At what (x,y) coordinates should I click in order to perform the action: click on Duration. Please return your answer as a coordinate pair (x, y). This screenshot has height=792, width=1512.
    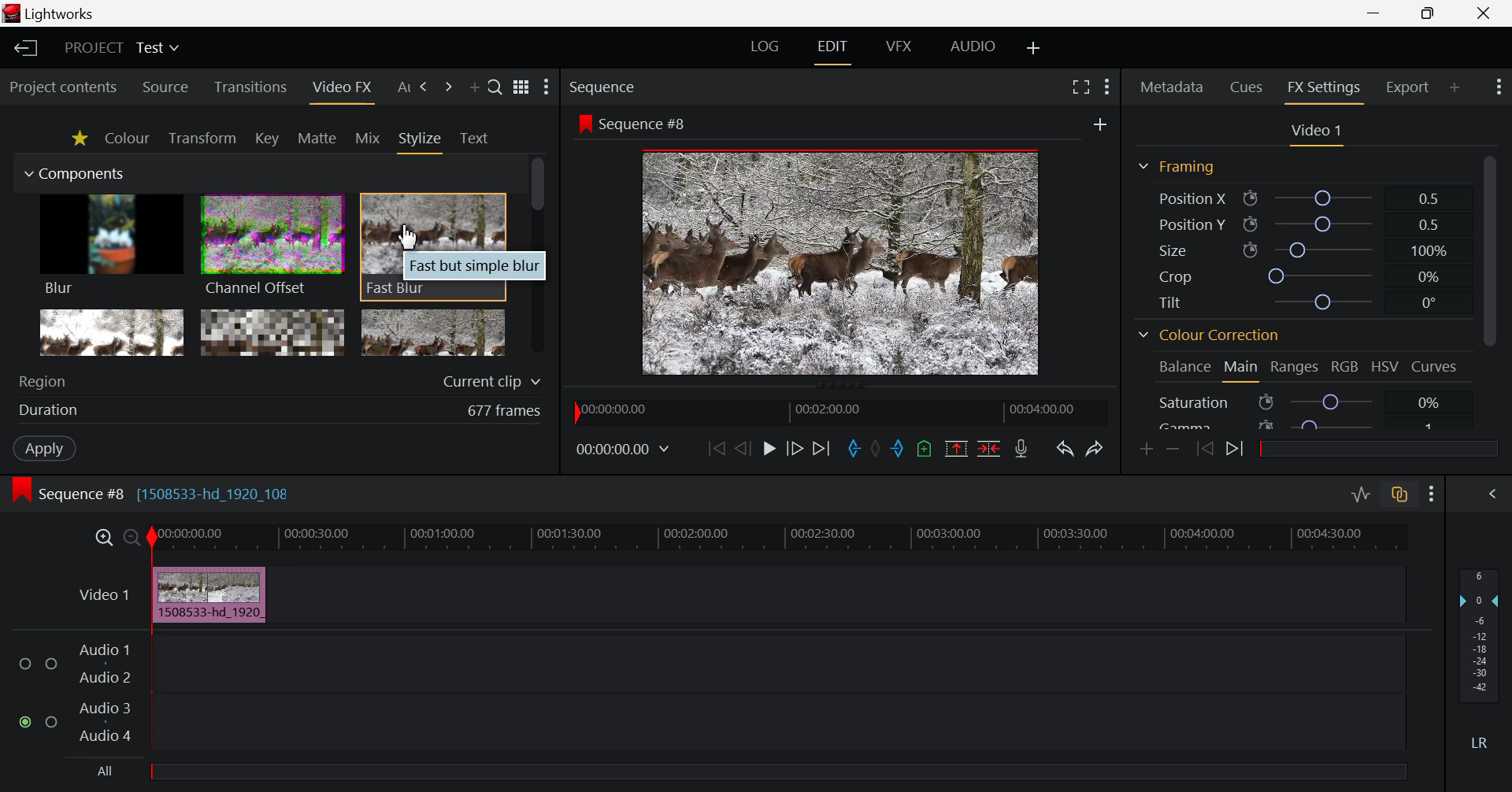
    Looking at the image, I should click on (280, 408).